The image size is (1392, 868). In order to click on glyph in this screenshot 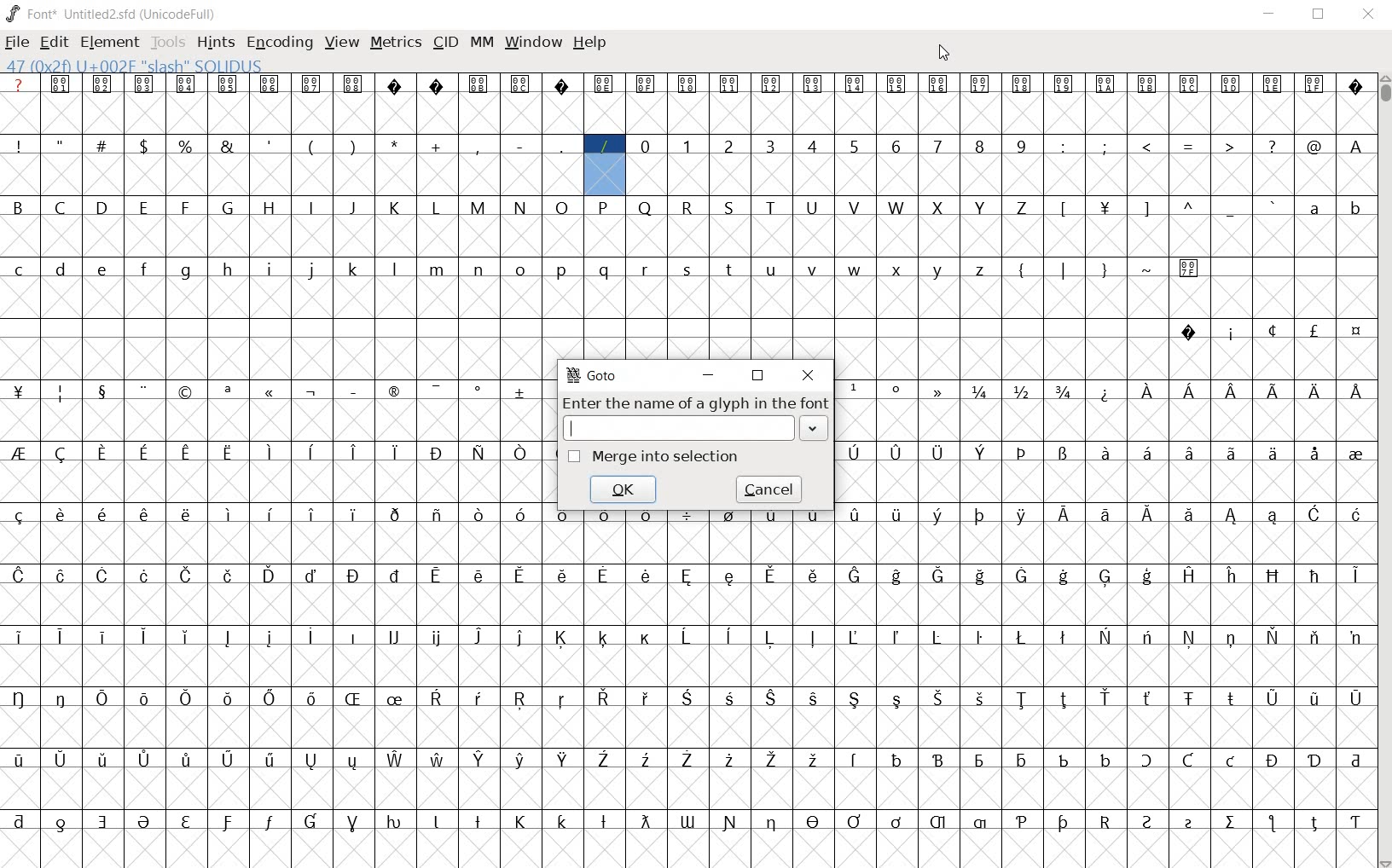, I will do `click(898, 760)`.